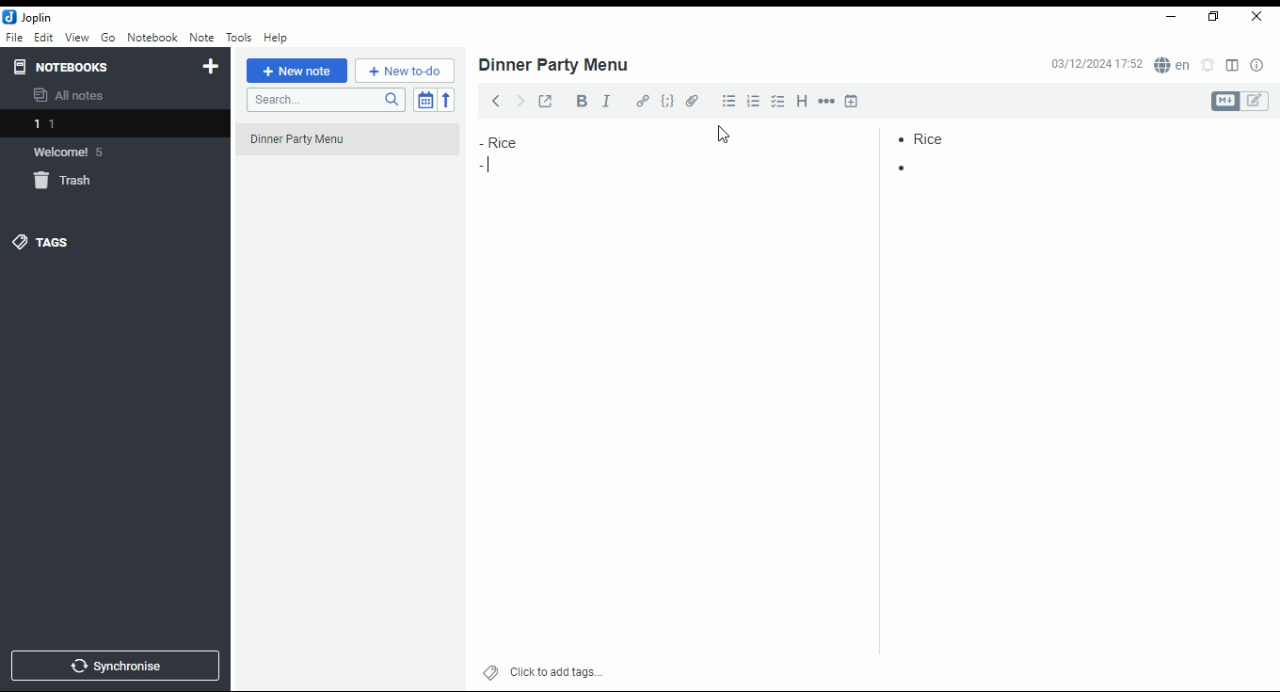 This screenshot has width=1280, height=692. I want to click on edit, so click(44, 37).